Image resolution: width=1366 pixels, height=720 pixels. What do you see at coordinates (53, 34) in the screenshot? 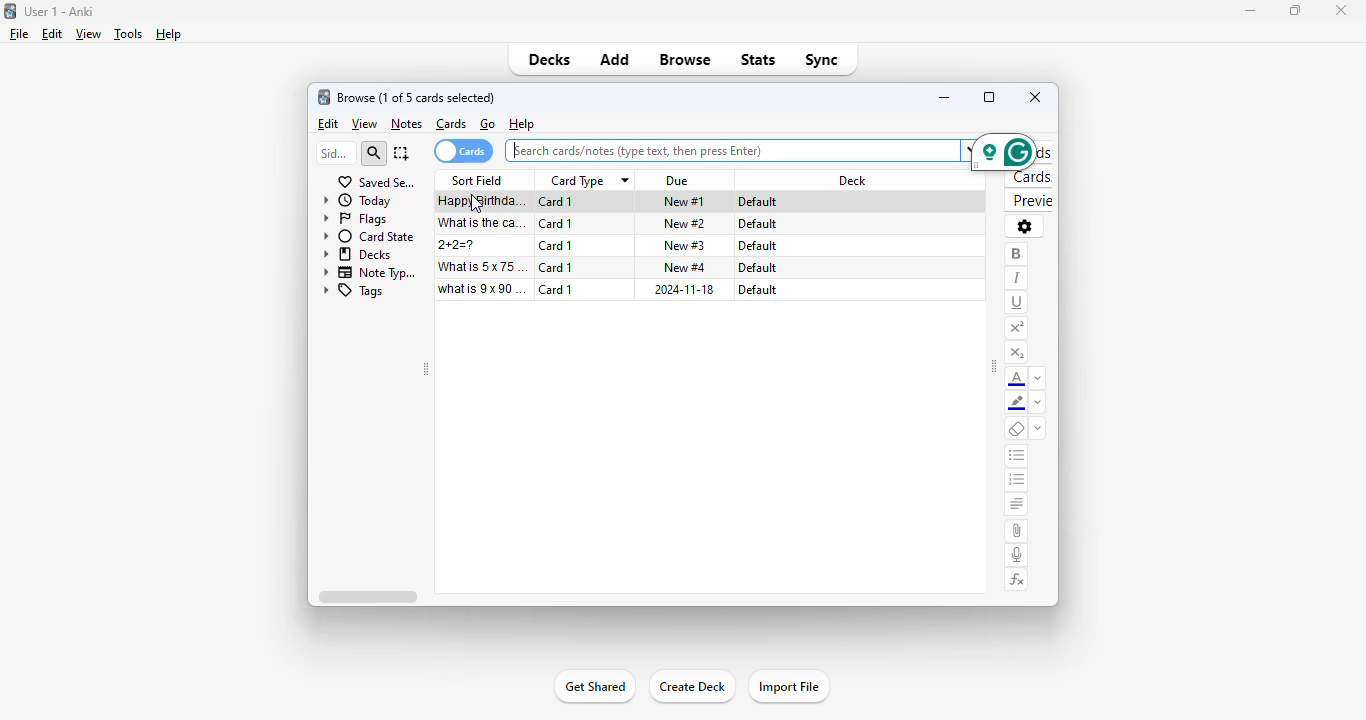
I see `edit` at bounding box center [53, 34].